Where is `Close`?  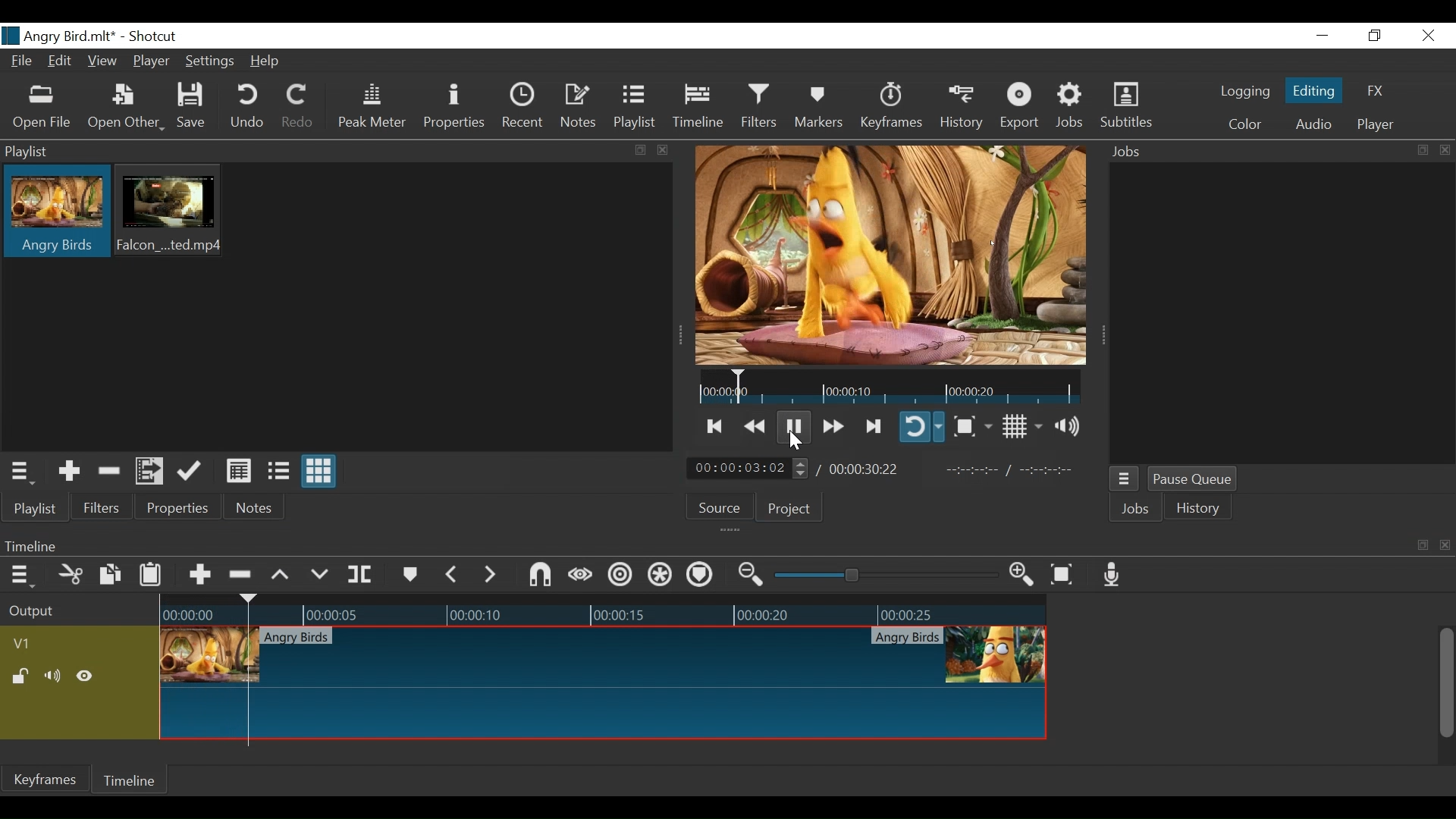
Close is located at coordinates (1428, 36).